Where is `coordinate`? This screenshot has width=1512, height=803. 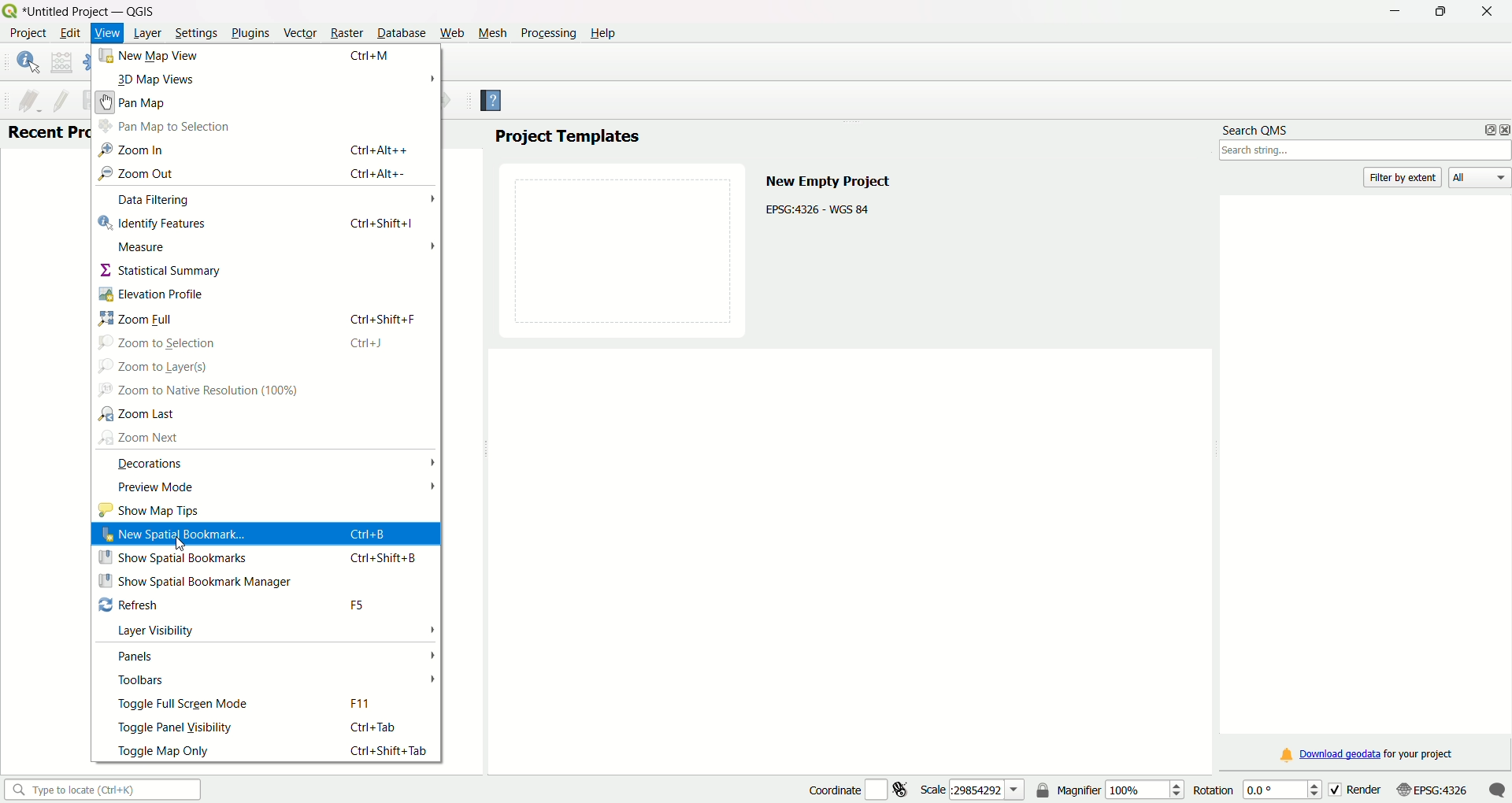
coordinate is located at coordinates (832, 788).